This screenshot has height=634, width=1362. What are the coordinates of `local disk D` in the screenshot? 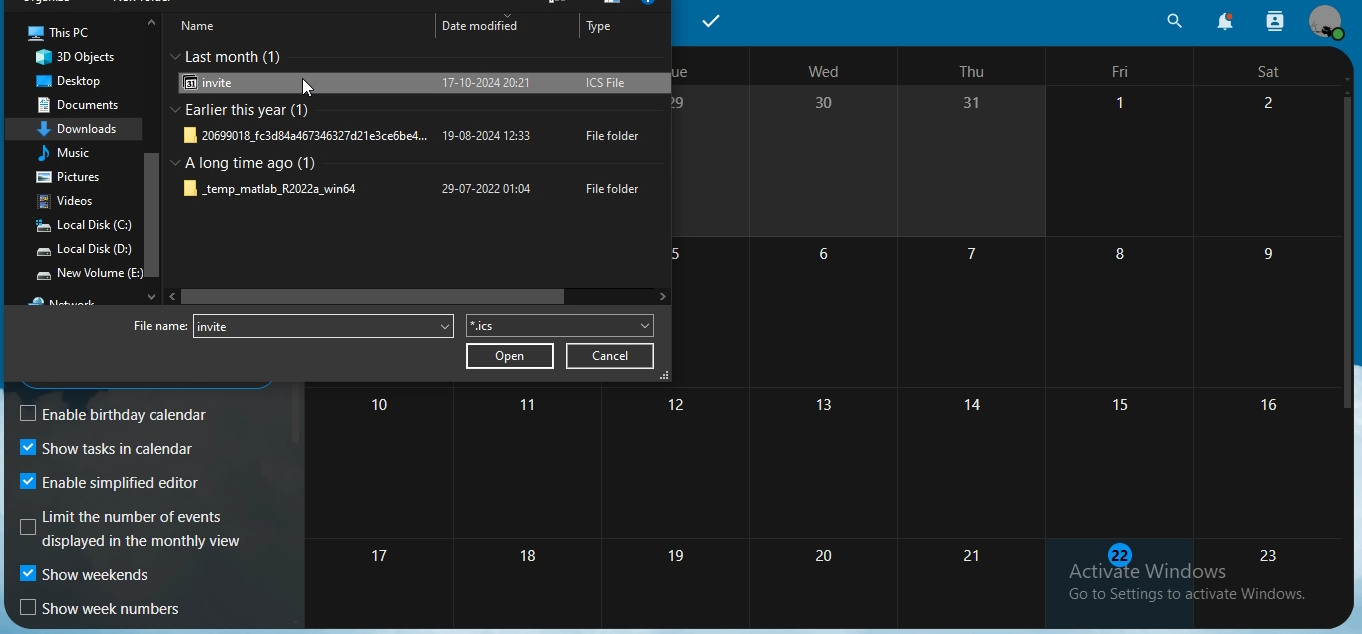 It's located at (83, 252).